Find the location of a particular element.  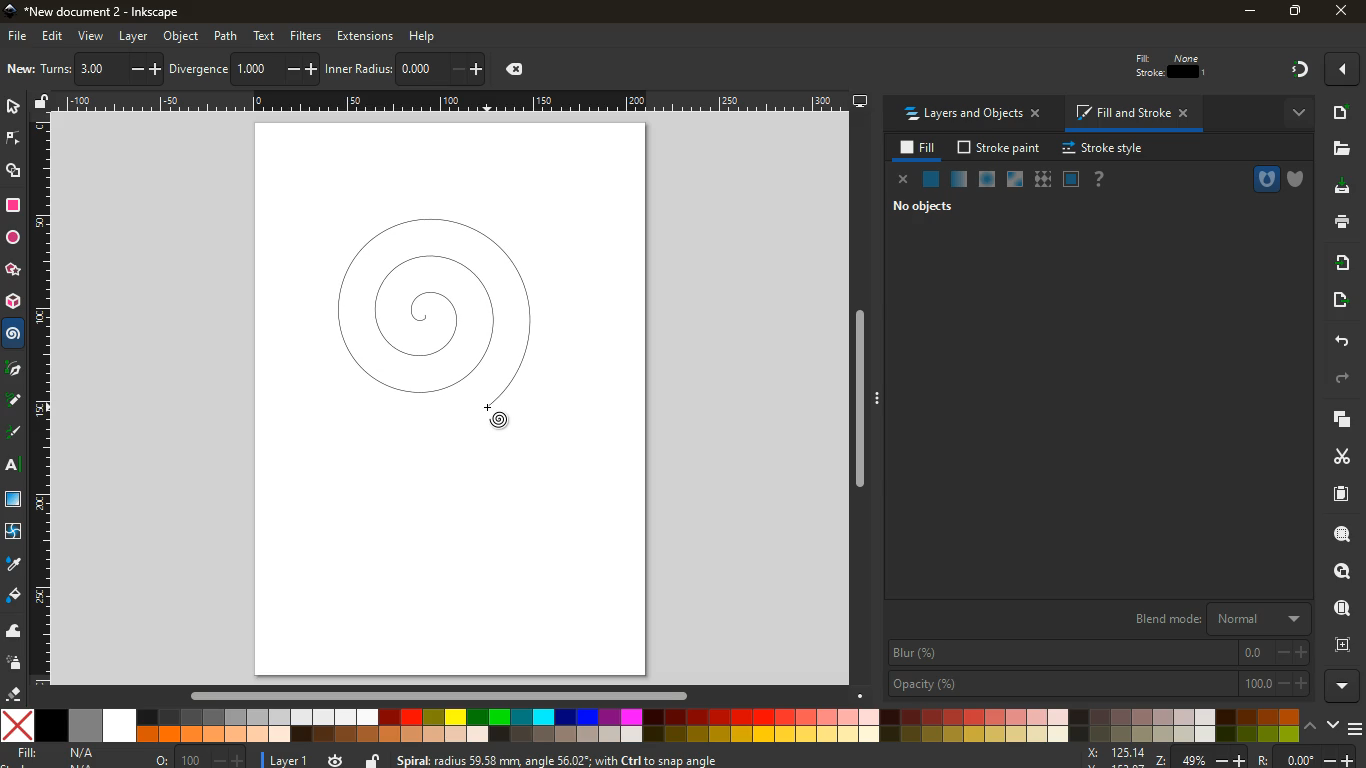

minimize is located at coordinates (1246, 12).